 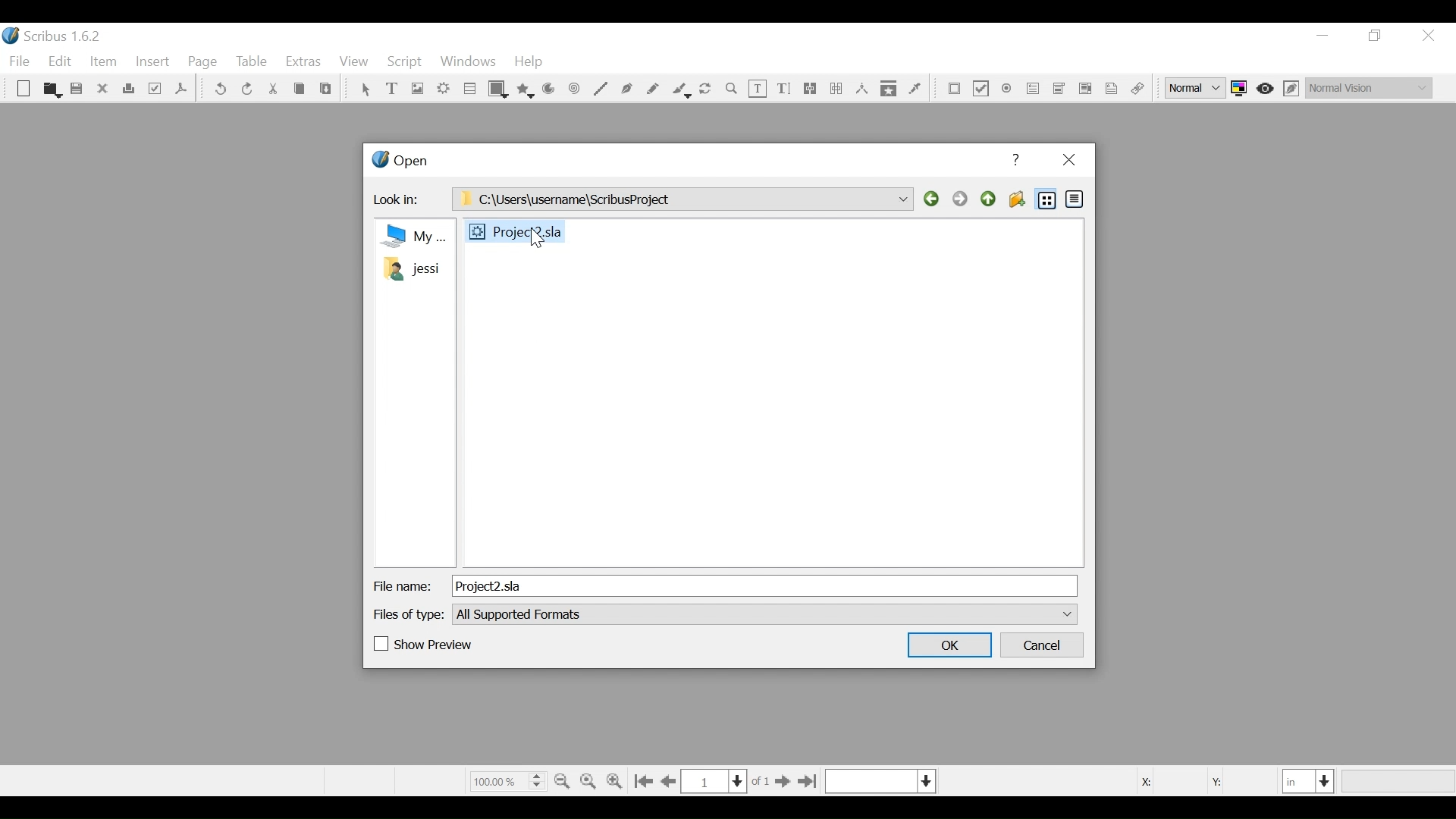 I want to click on Zoom in, so click(x=617, y=780).